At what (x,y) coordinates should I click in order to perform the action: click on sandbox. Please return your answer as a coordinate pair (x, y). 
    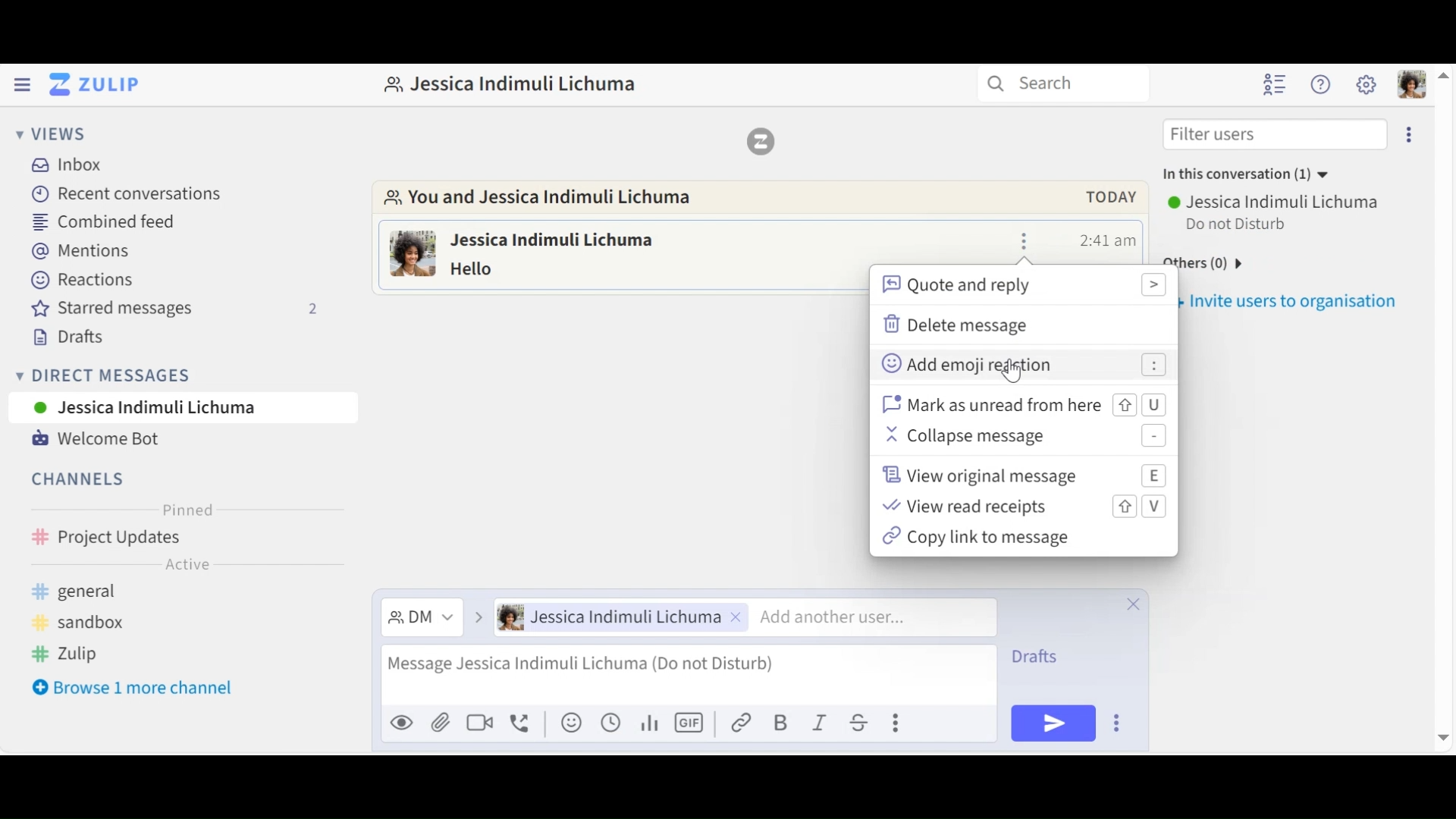
    Looking at the image, I should click on (86, 623).